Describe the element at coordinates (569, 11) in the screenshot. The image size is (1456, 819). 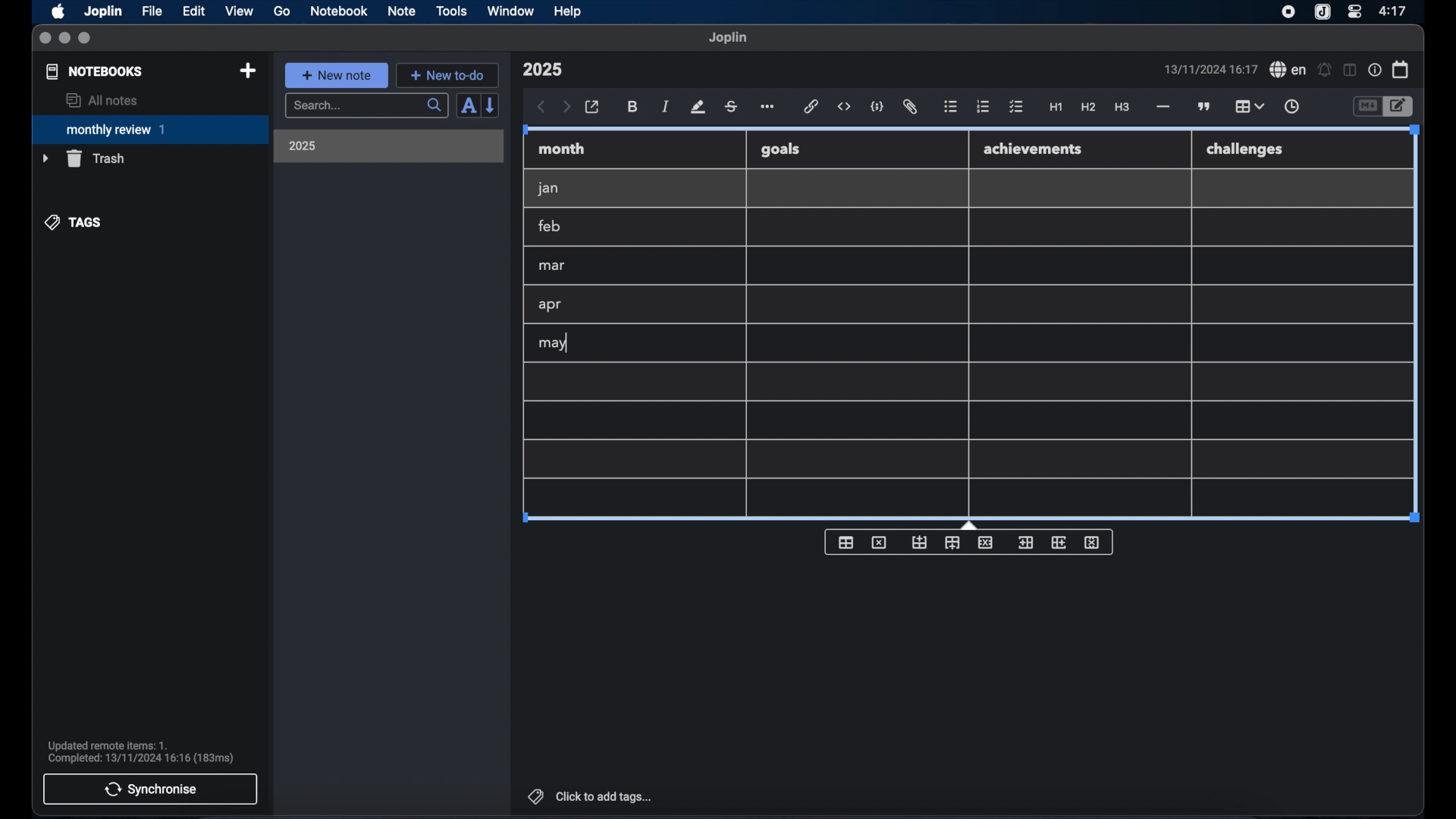
I see `help` at that location.